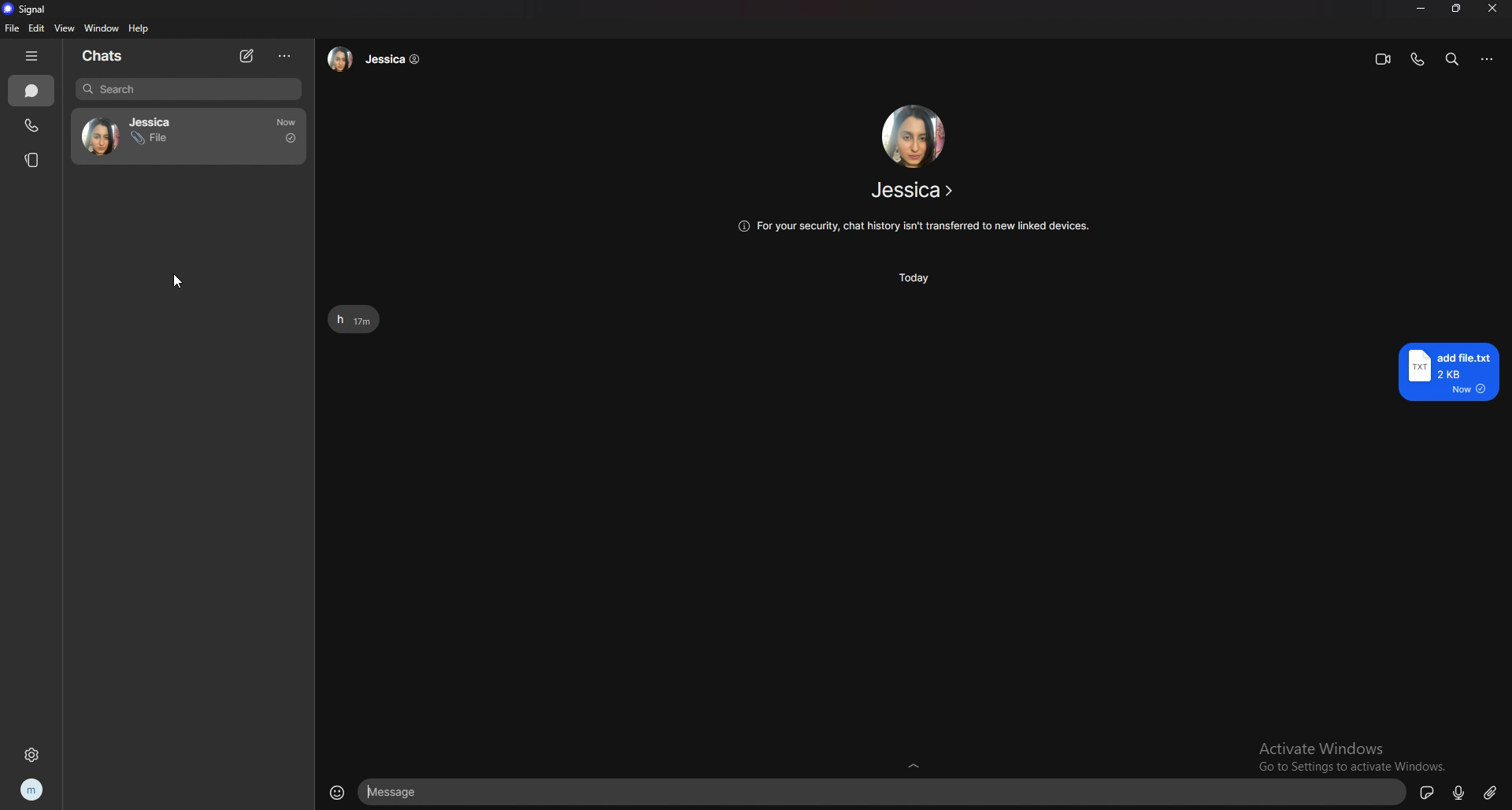  What do you see at coordinates (107, 56) in the screenshot?
I see `chats` at bounding box center [107, 56].